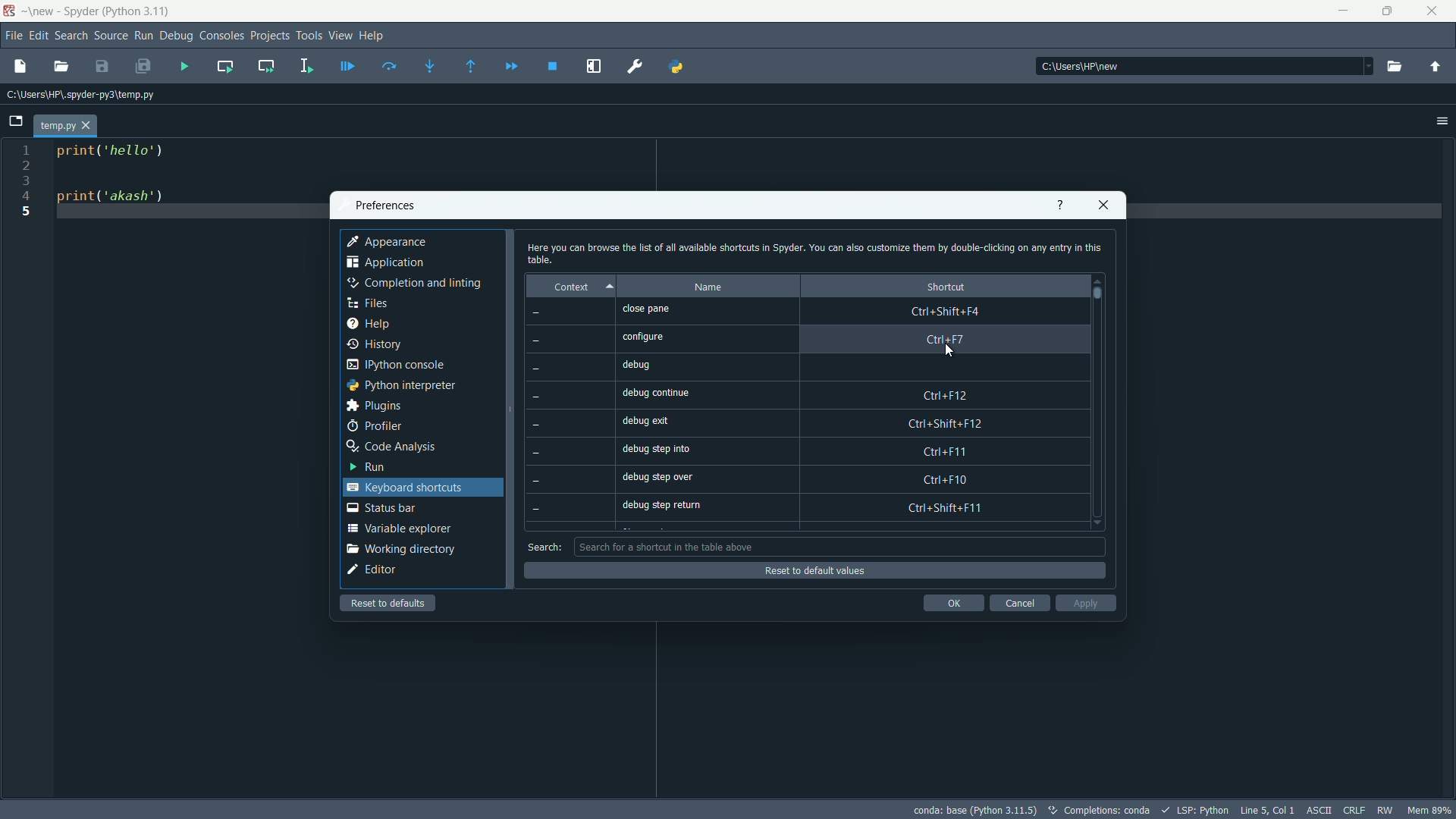 The height and width of the screenshot is (819, 1456). What do you see at coordinates (304, 67) in the screenshot?
I see `run selection` at bounding box center [304, 67].